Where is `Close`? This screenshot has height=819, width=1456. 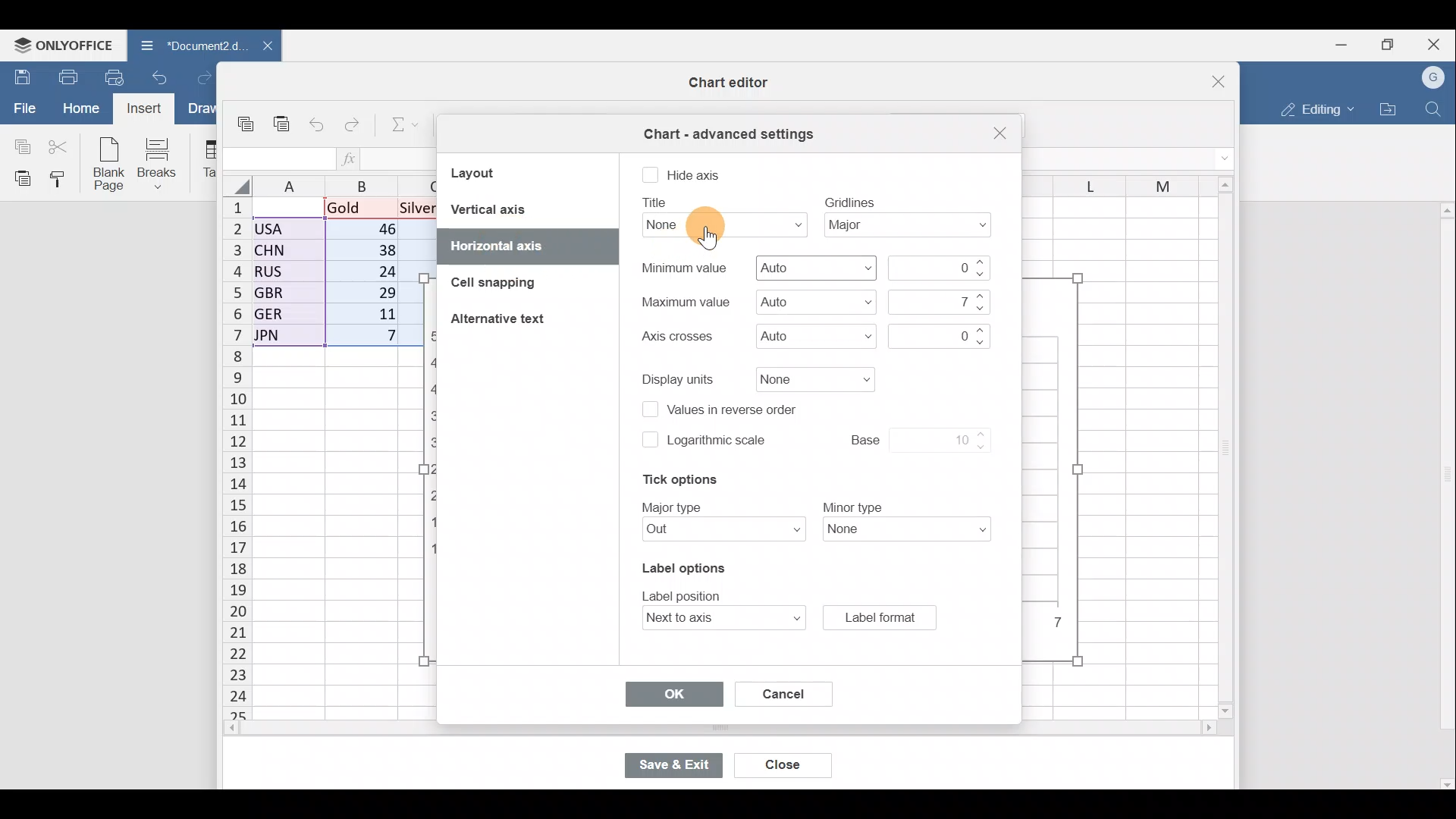 Close is located at coordinates (792, 767).